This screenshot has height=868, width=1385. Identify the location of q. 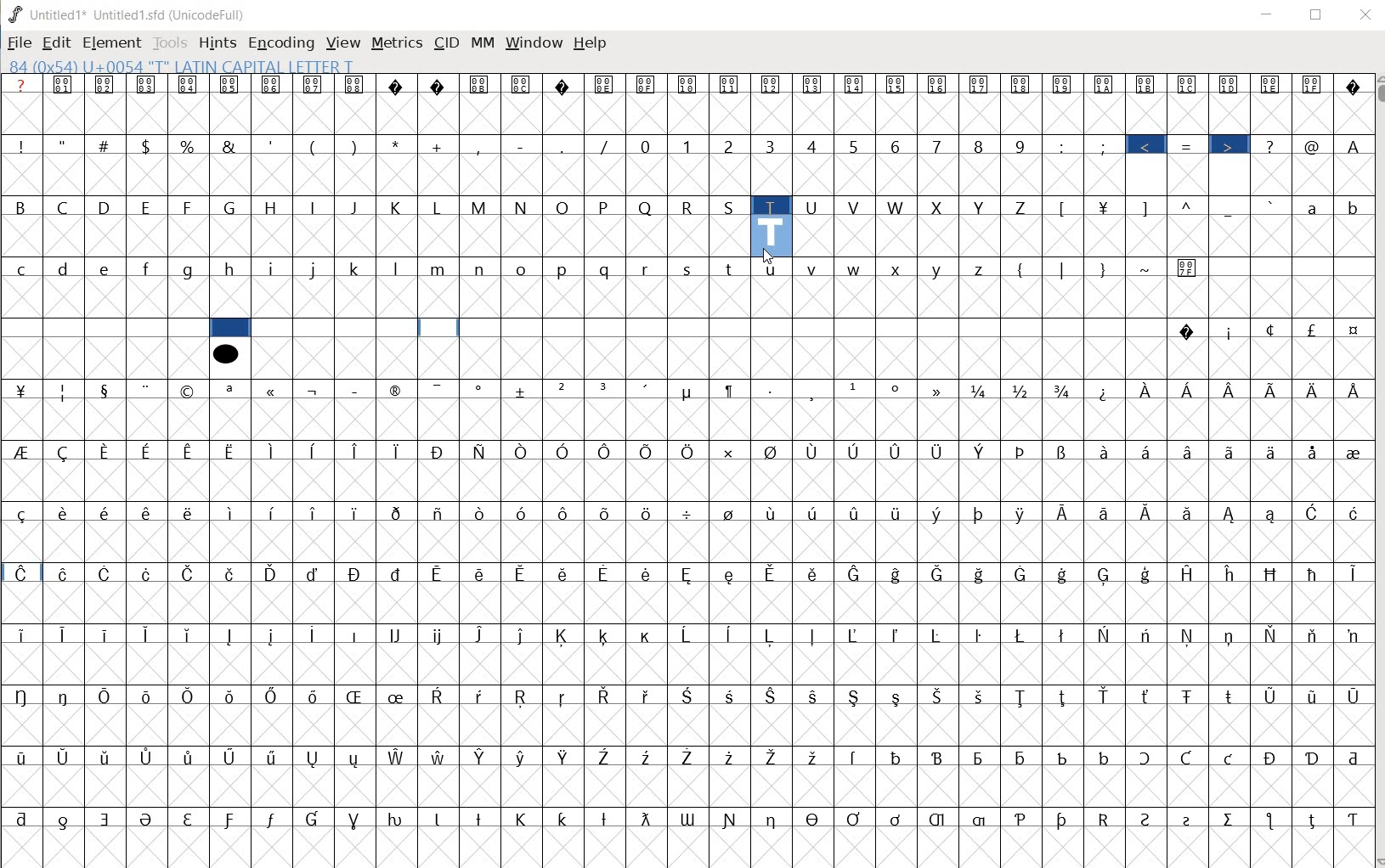
(605, 269).